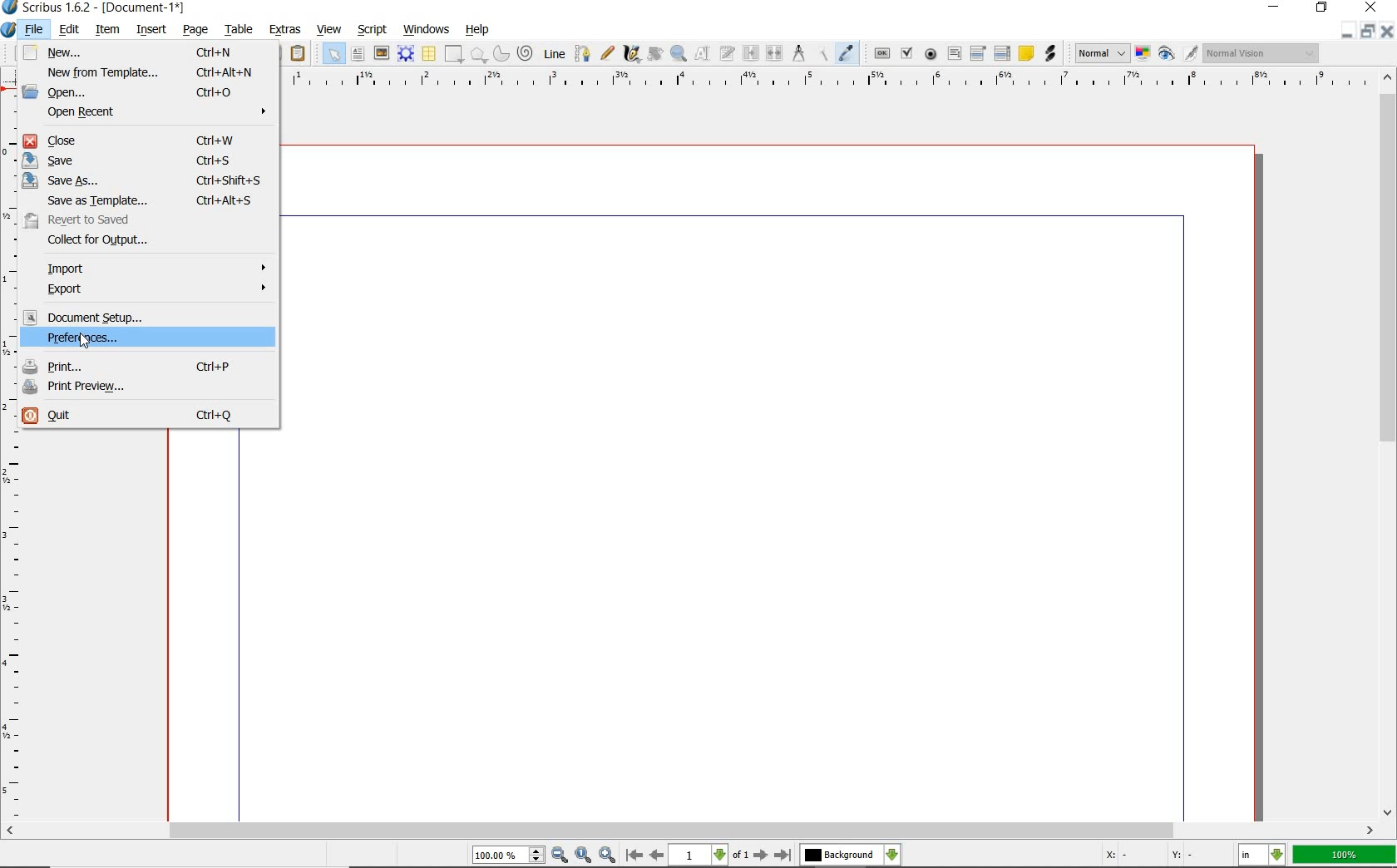 This screenshot has width=1397, height=868. Describe the element at coordinates (141, 316) in the screenshot. I see `document setup` at that location.